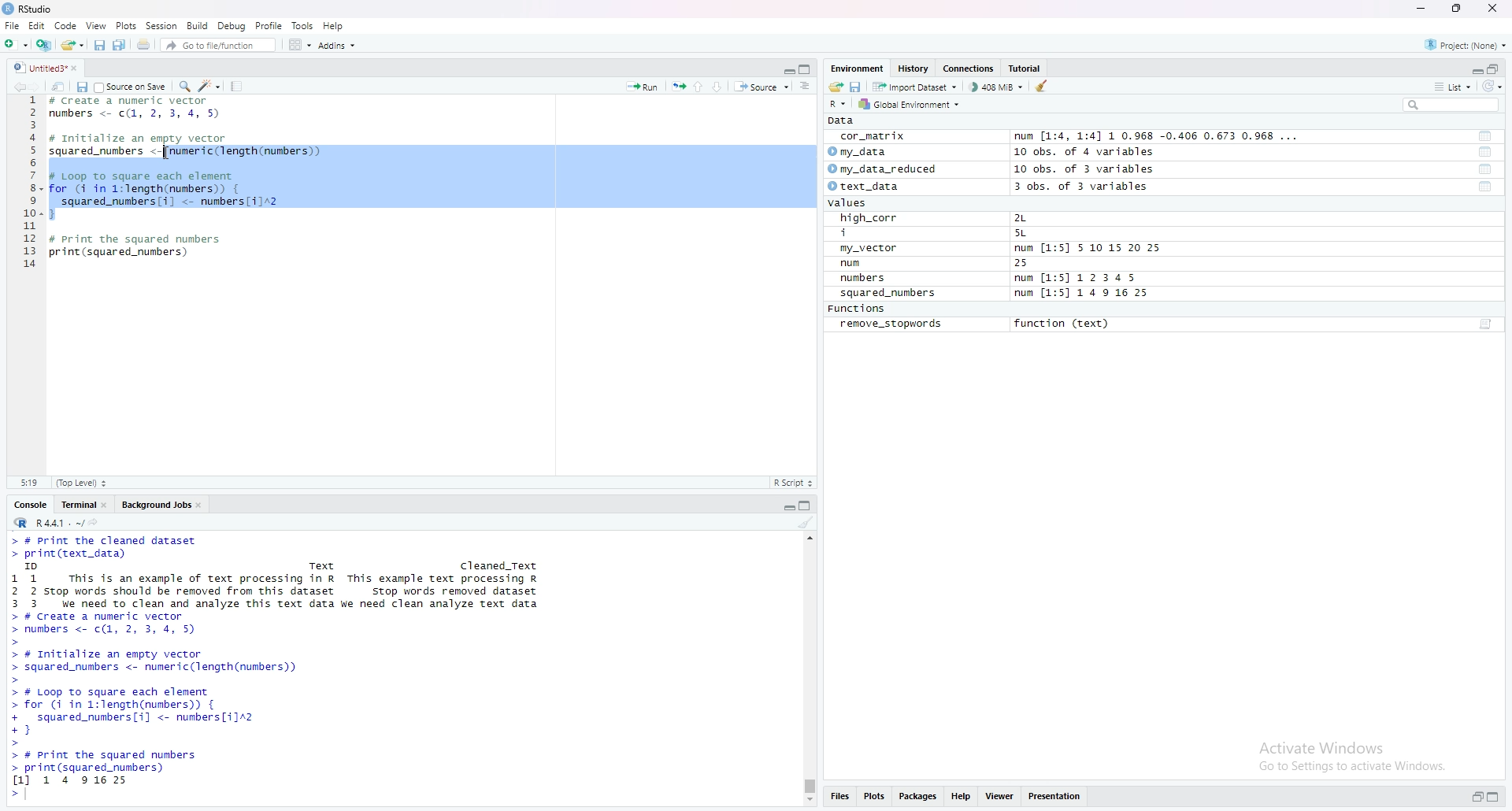 This screenshot has width=1512, height=811. What do you see at coordinates (1495, 68) in the screenshot?
I see `maximize` at bounding box center [1495, 68].